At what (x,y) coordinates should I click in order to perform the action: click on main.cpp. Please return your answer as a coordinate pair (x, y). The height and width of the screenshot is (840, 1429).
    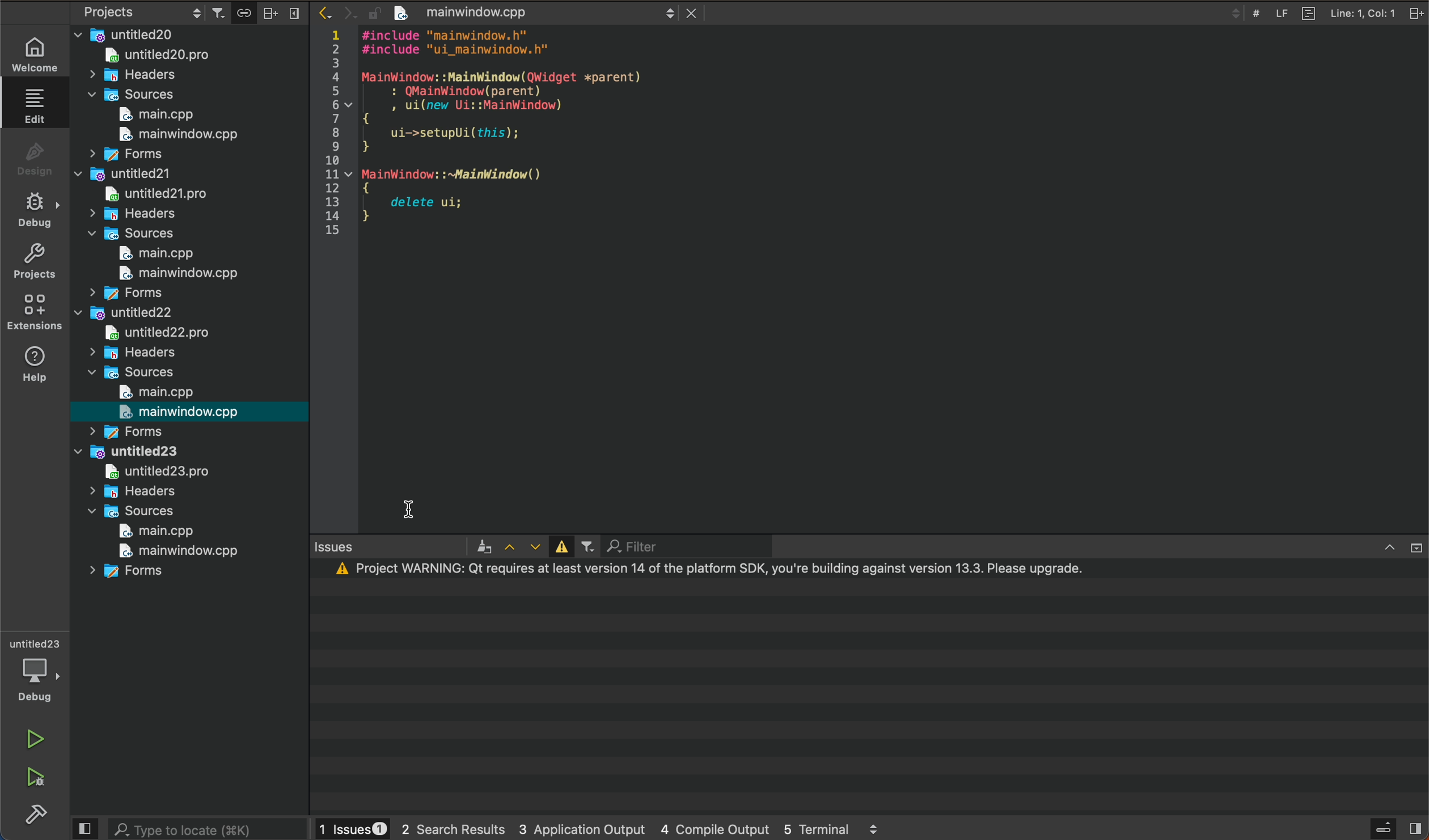
    Looking at the image, I should click on (160, 114).